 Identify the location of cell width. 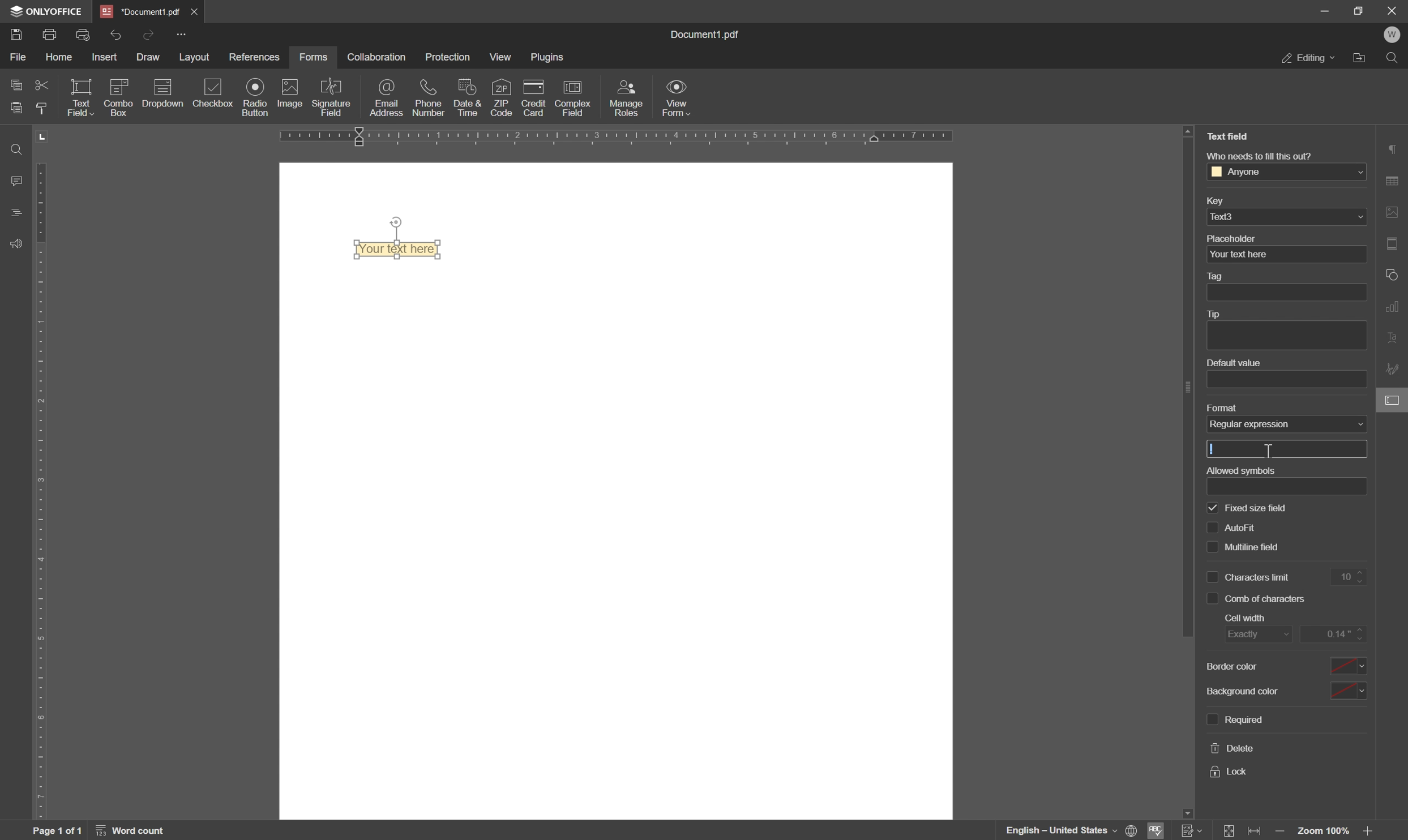
(1248, 618).